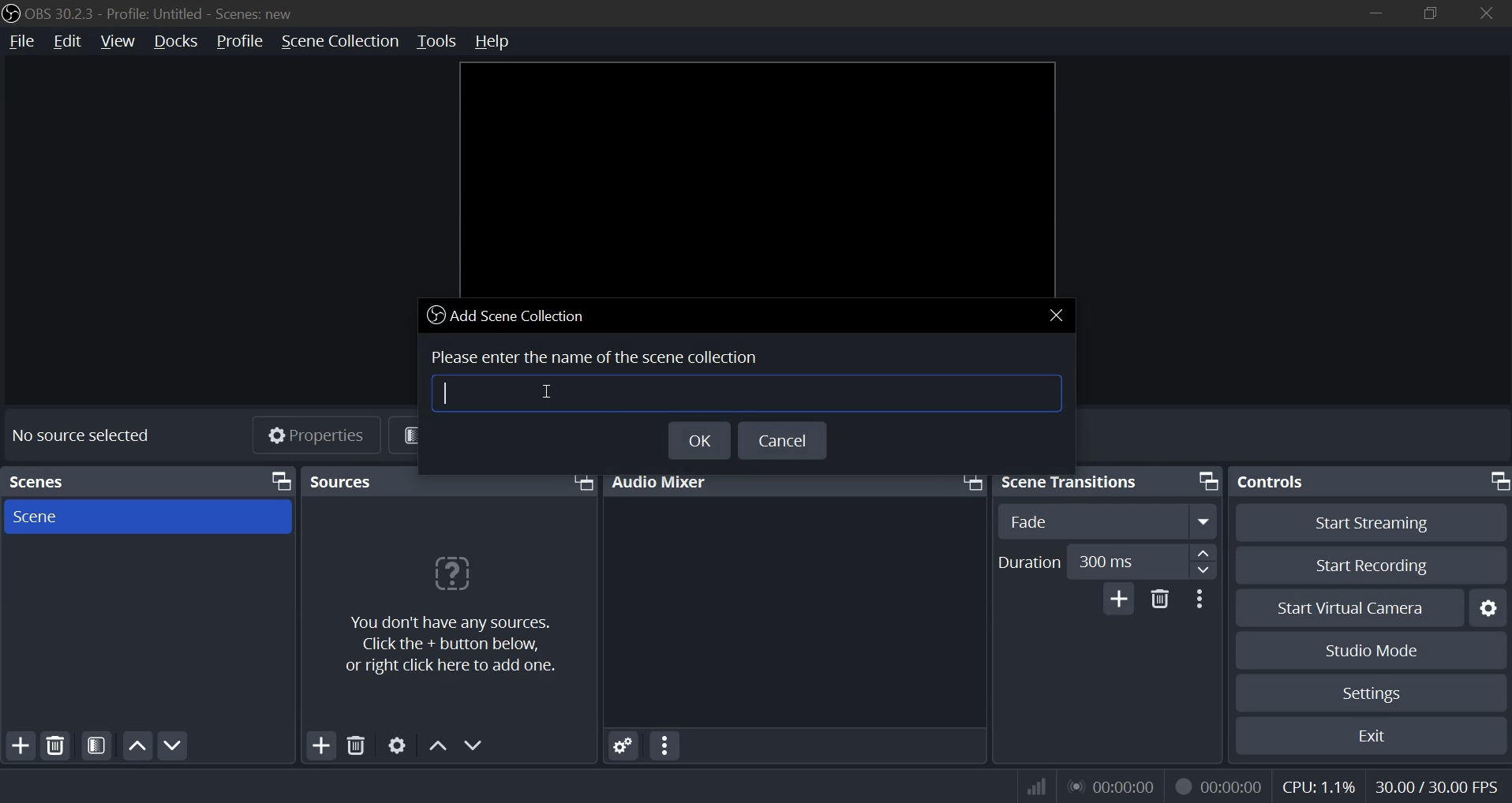 The image size is (1512, 803). I want to click on bring front, so click(281, 481).